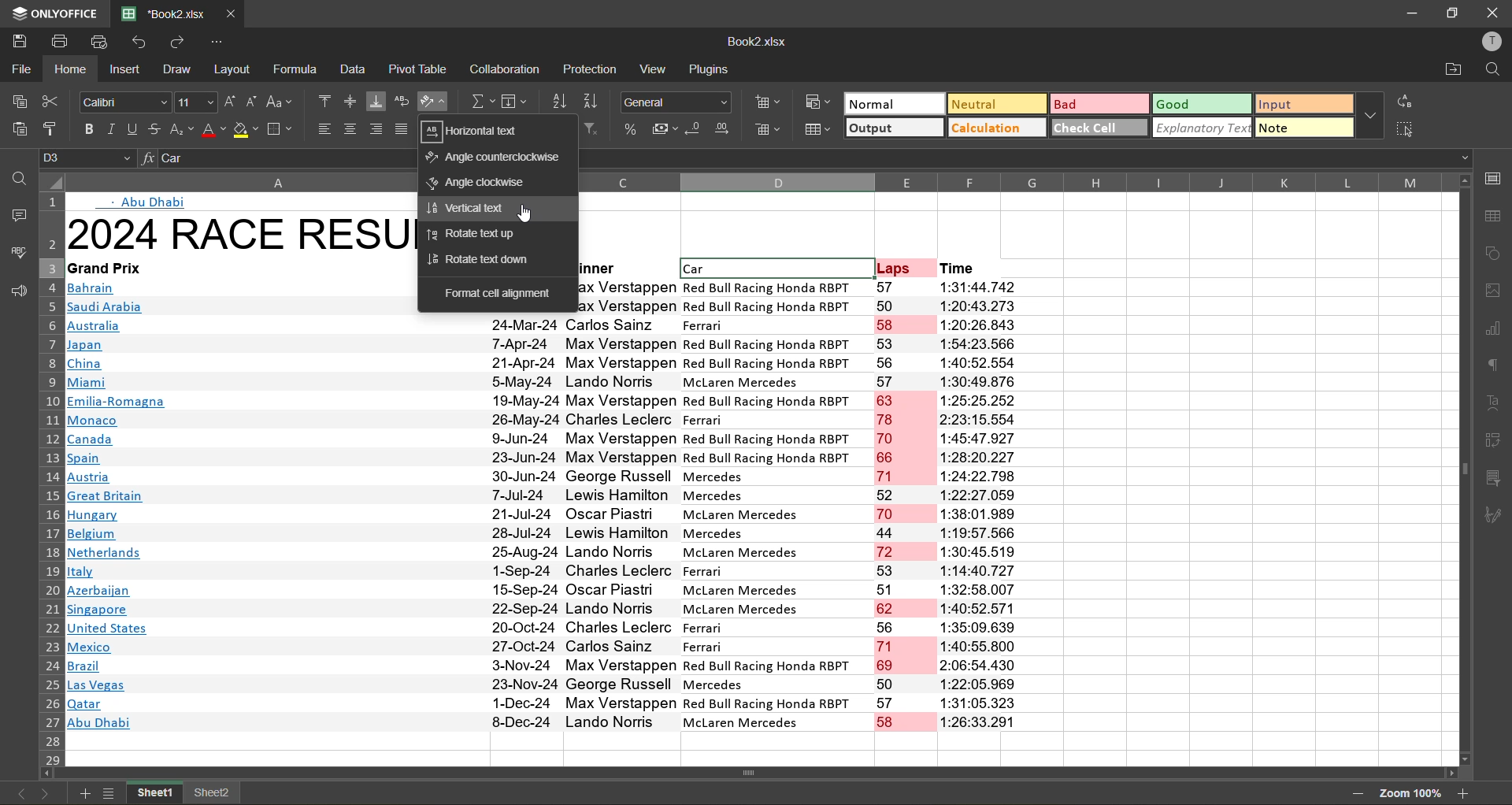 Image resolution: width=1512 pixels, height=805 pixels. Describe the element at coordinates (143, 39) in the screenshot. I see `undo` at that location.